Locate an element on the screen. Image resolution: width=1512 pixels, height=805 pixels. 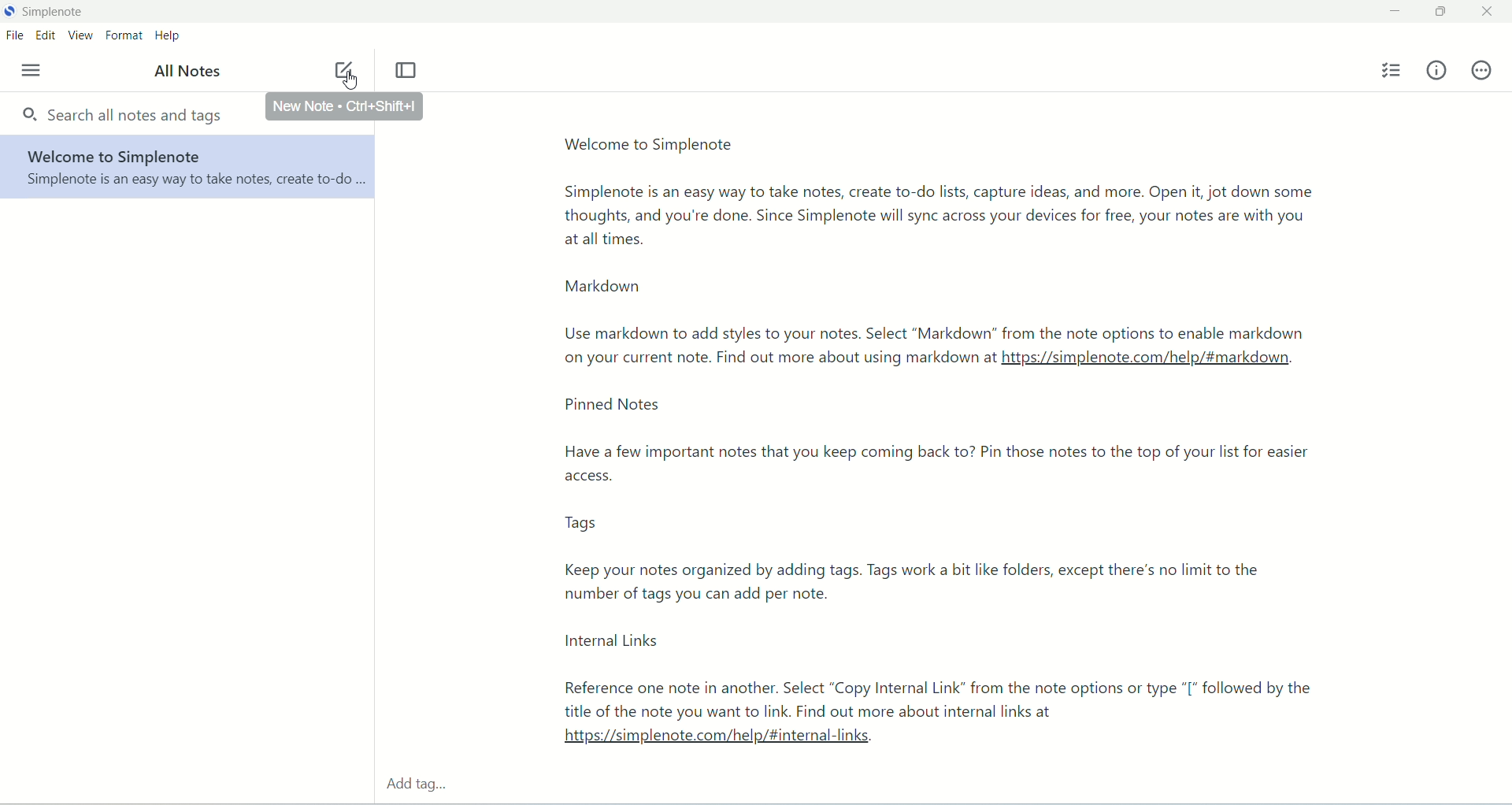
view is located at coordinates (81, 37).